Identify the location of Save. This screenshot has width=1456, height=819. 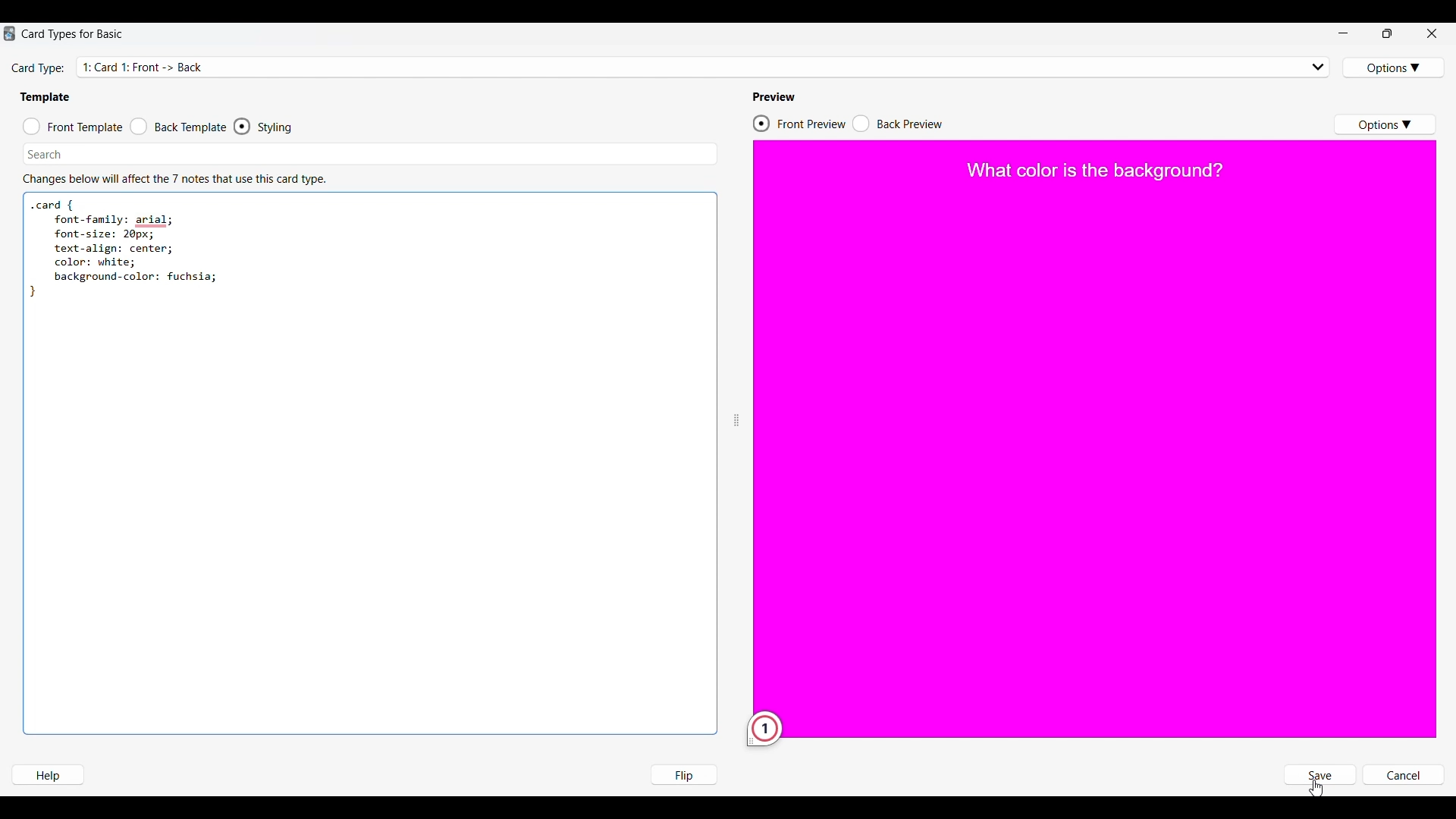
(1319, 776).